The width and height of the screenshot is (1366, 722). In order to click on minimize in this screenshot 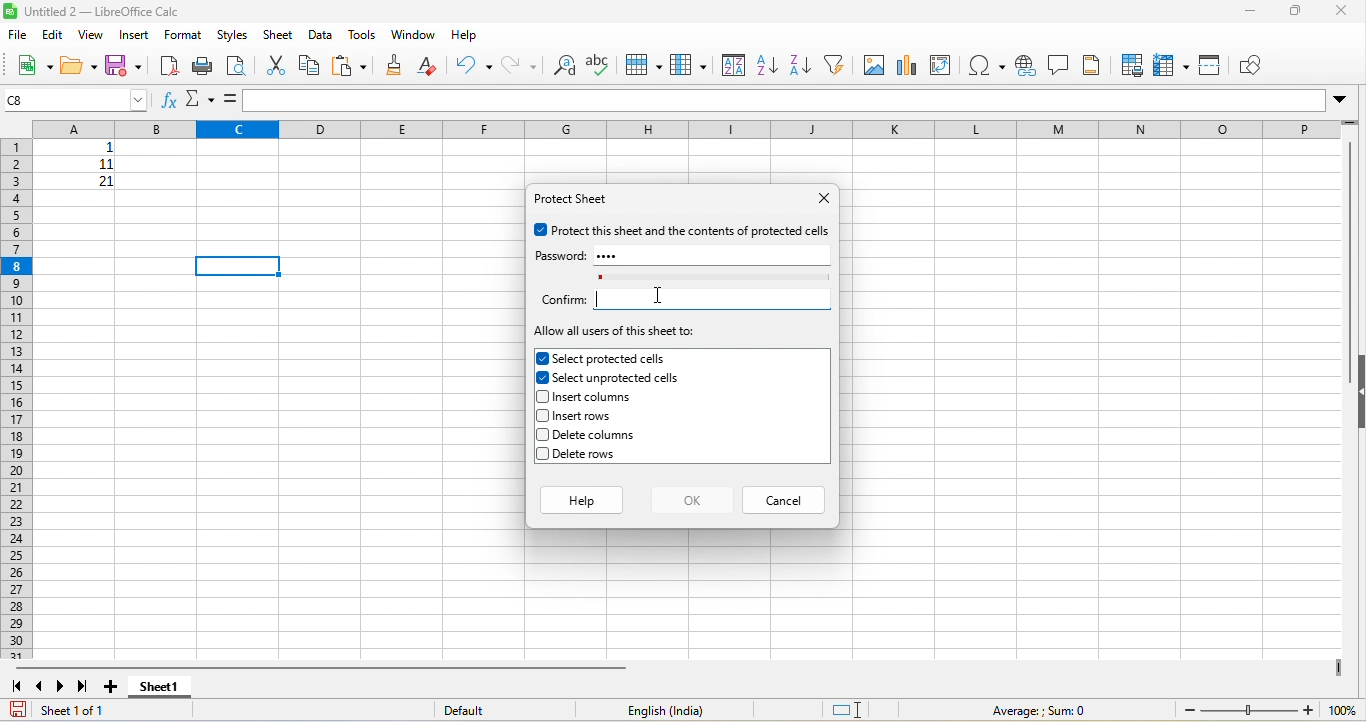, I will do `click(1253, 12)`.